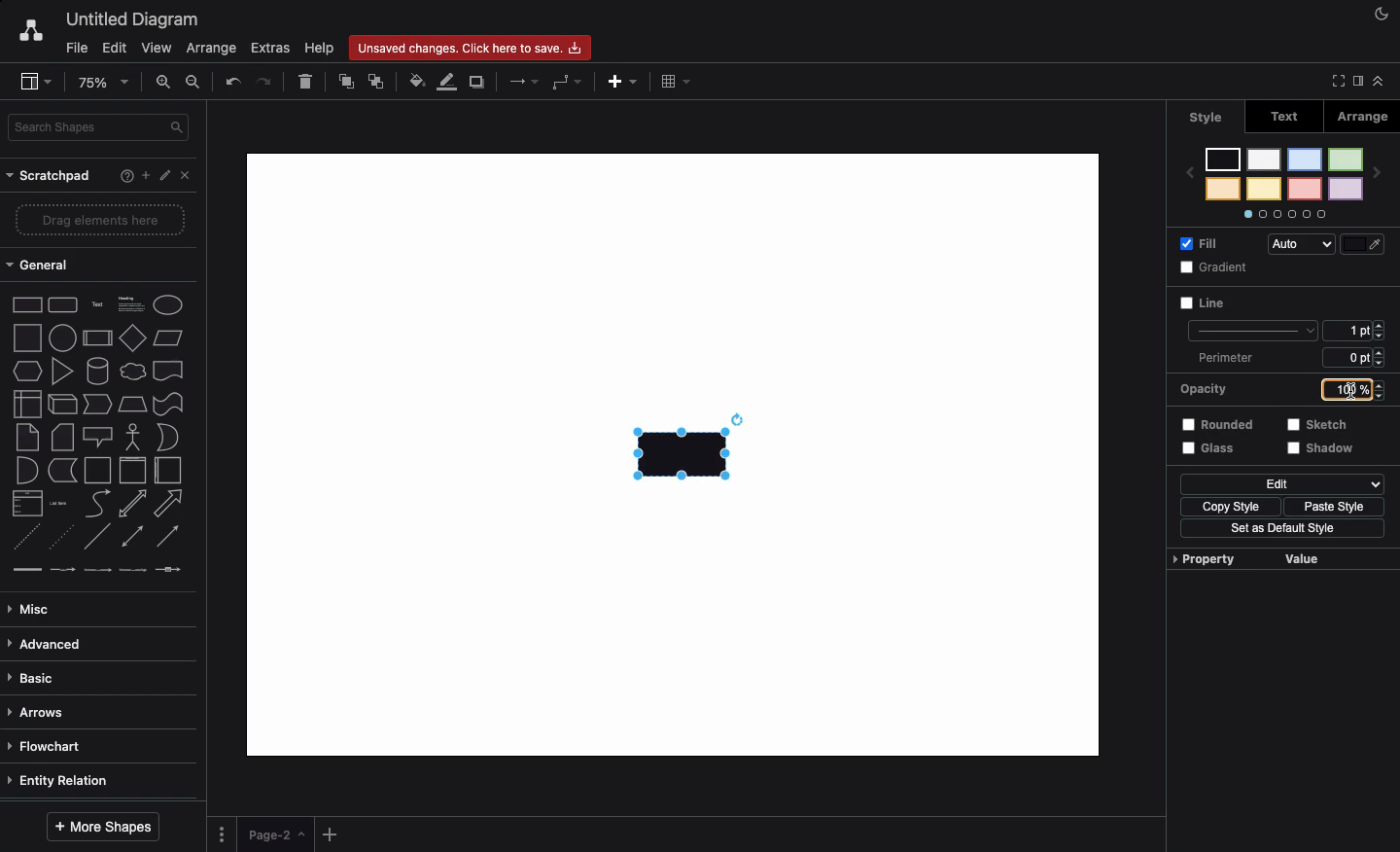 This screenshot has height=852, width=1400. Describe the element at coordinates (233, 83) in the screenshot. I see `Undo` at that location.